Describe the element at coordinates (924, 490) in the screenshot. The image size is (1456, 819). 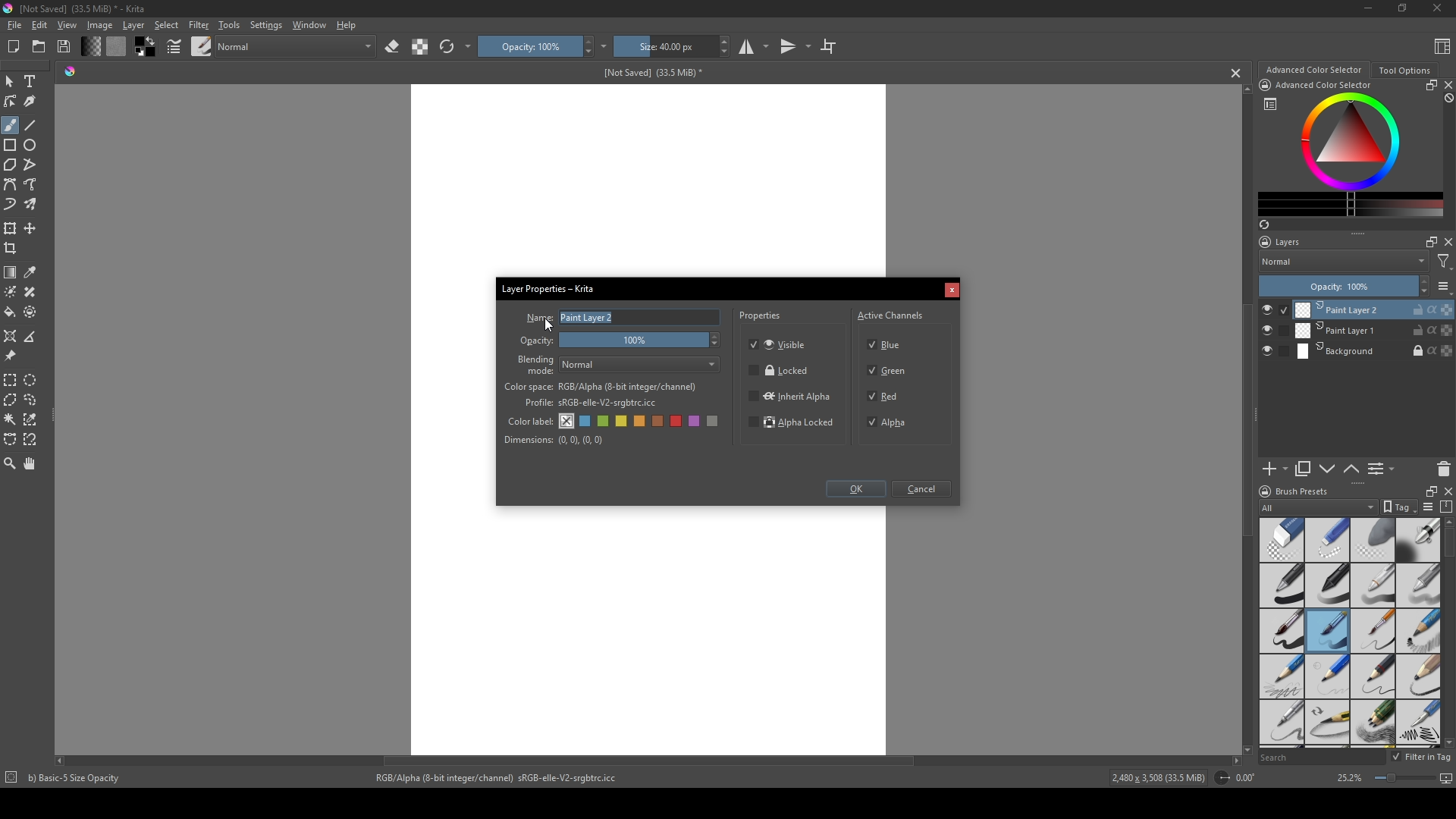
I see `Cancel` at that location.